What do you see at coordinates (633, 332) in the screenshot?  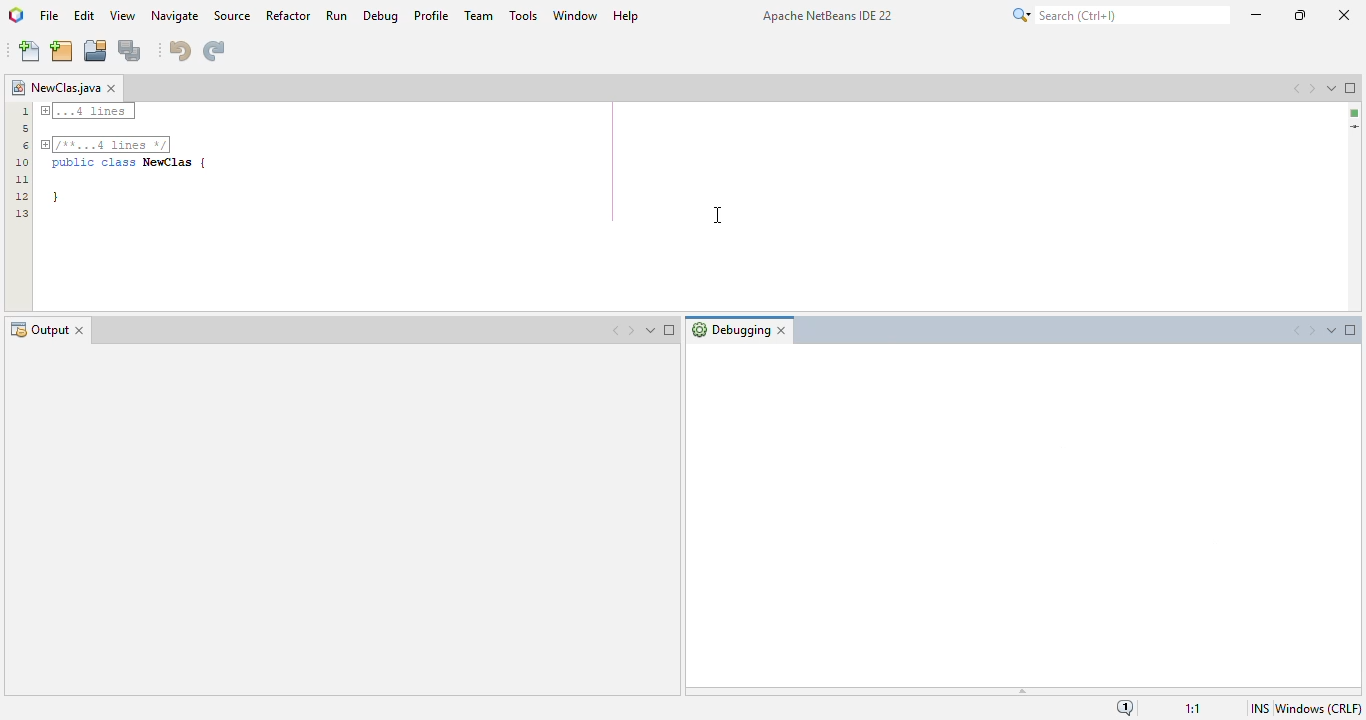 I see `Next` at bounding box center [633, 332].